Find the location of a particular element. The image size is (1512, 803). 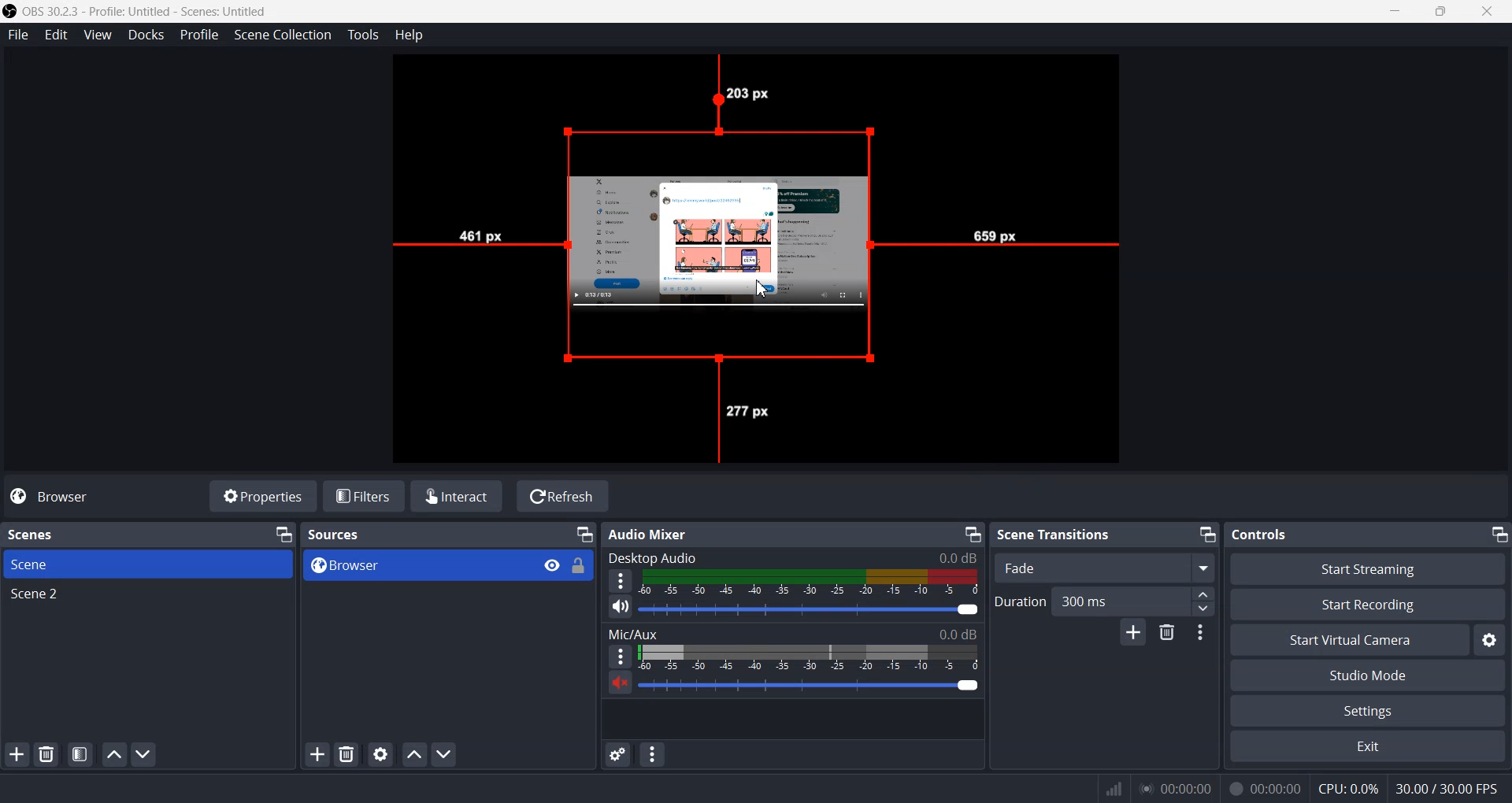

Scene 2 is located at coordinates (148, 596).